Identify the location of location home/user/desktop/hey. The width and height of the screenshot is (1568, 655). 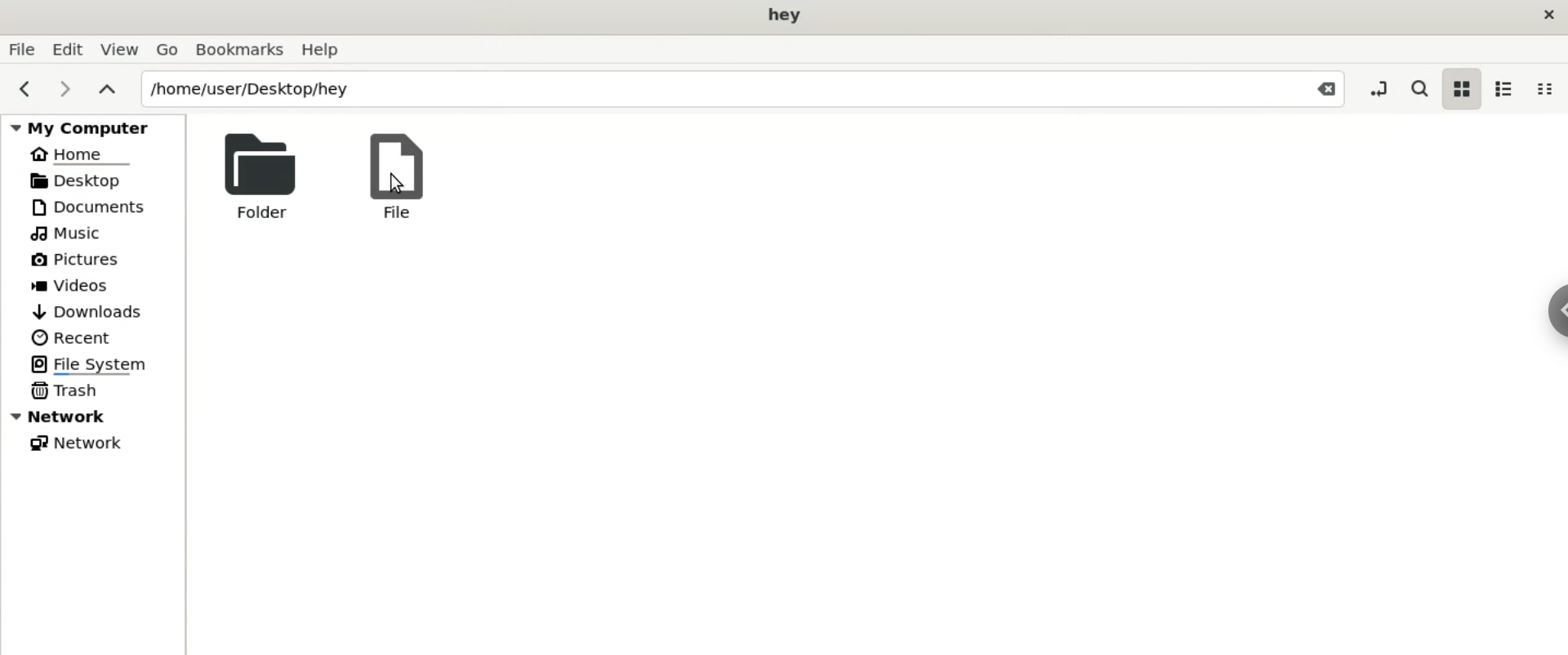
(742, 89).